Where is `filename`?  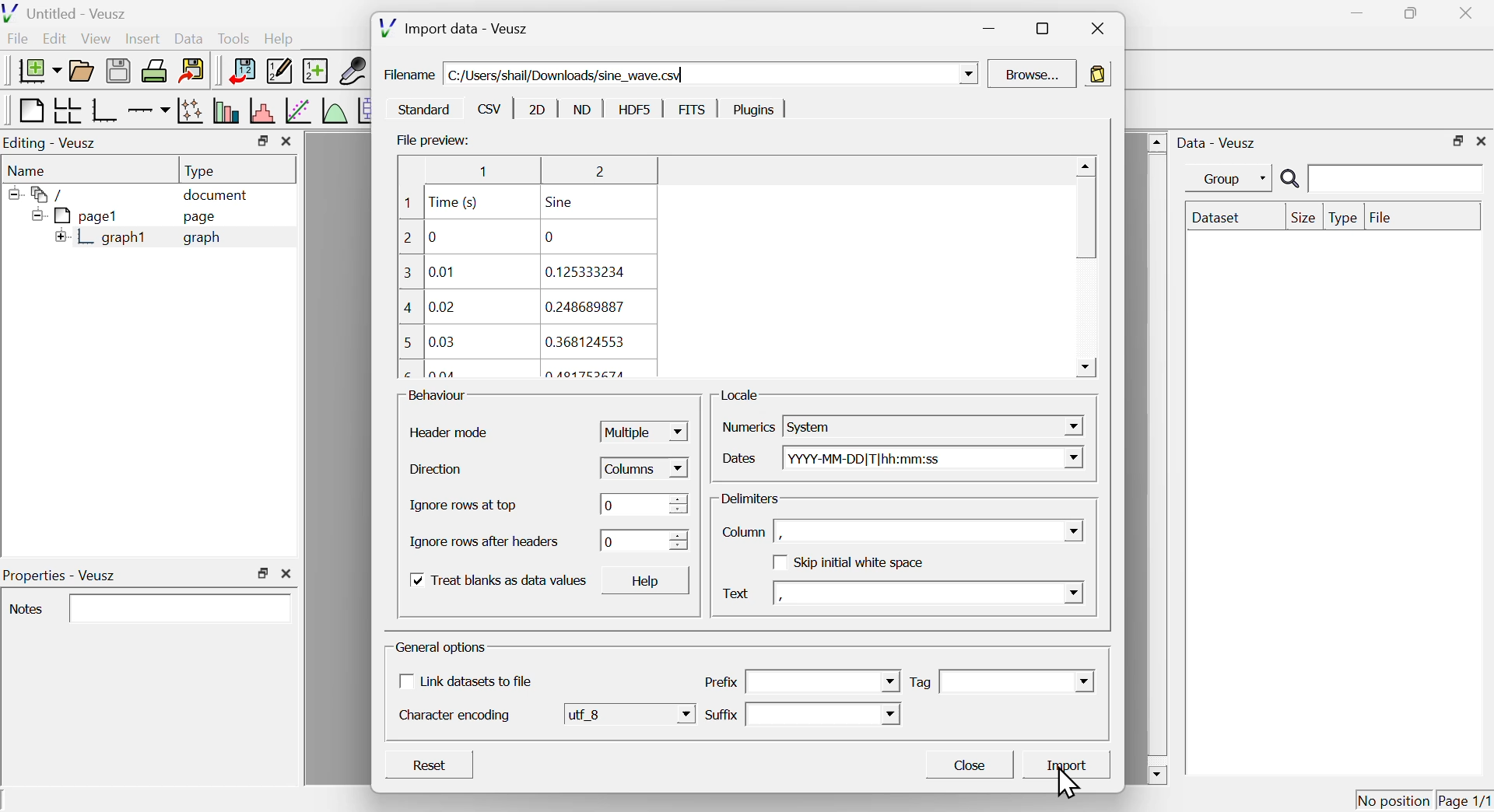
filename is located at coordinates (410, 74).